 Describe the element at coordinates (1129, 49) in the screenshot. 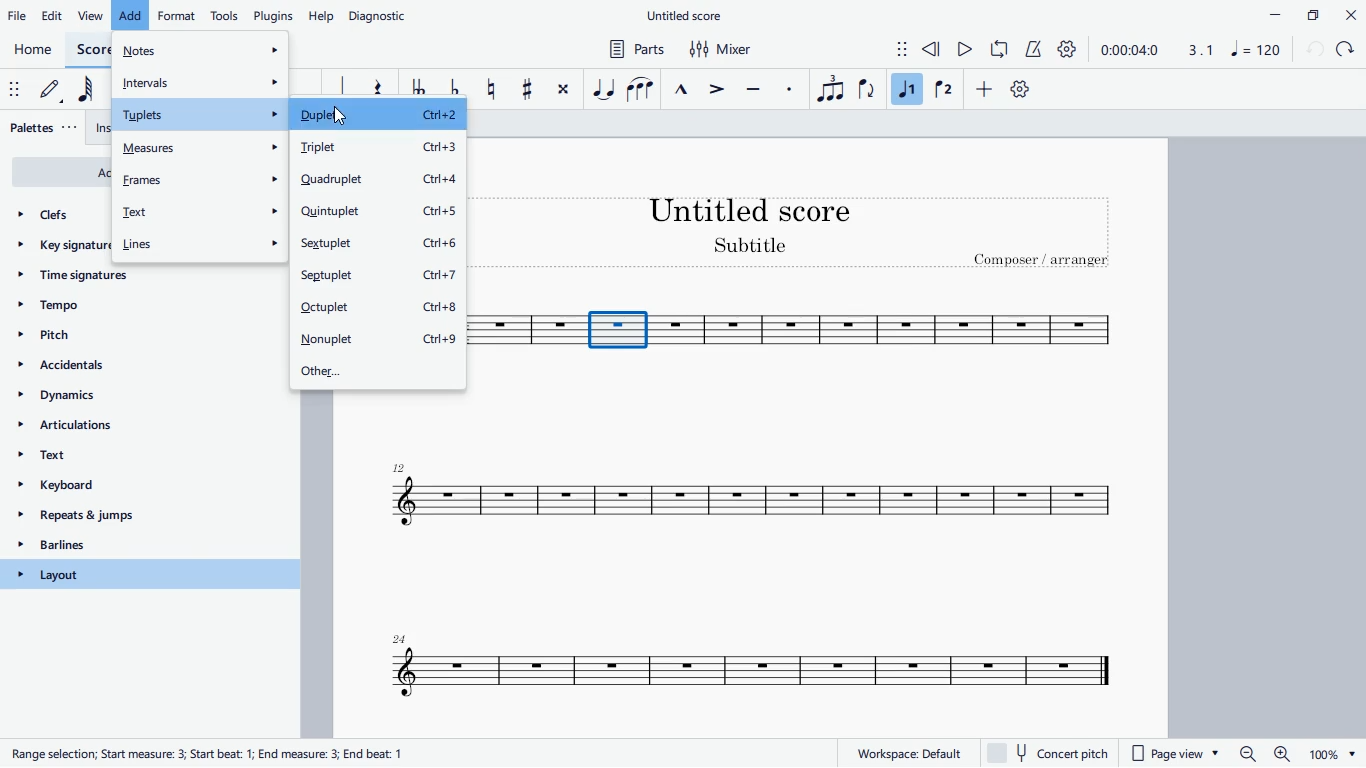

I see `time` at that location.